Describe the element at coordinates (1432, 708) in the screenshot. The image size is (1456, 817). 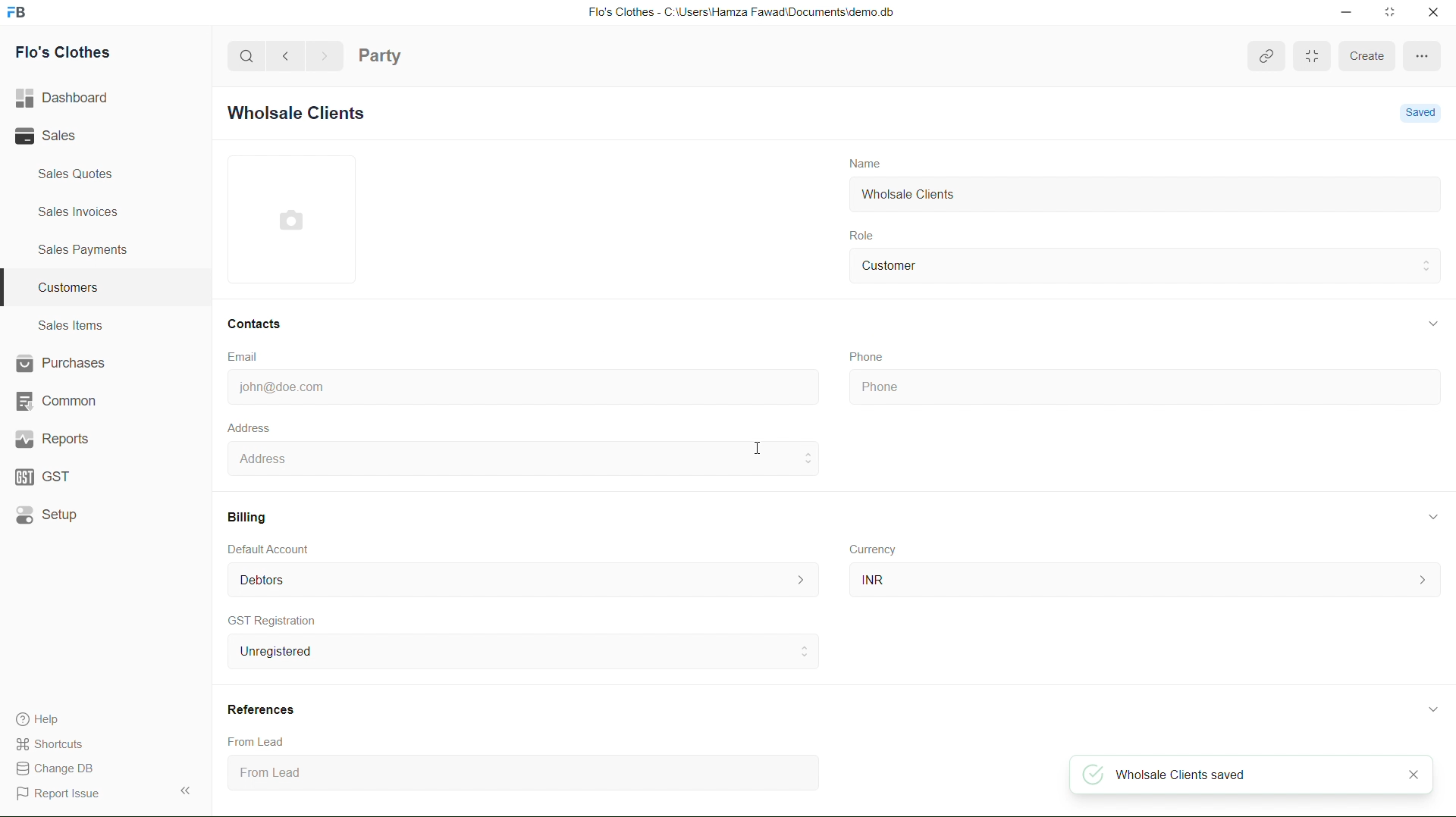
I see `expand` at that location.